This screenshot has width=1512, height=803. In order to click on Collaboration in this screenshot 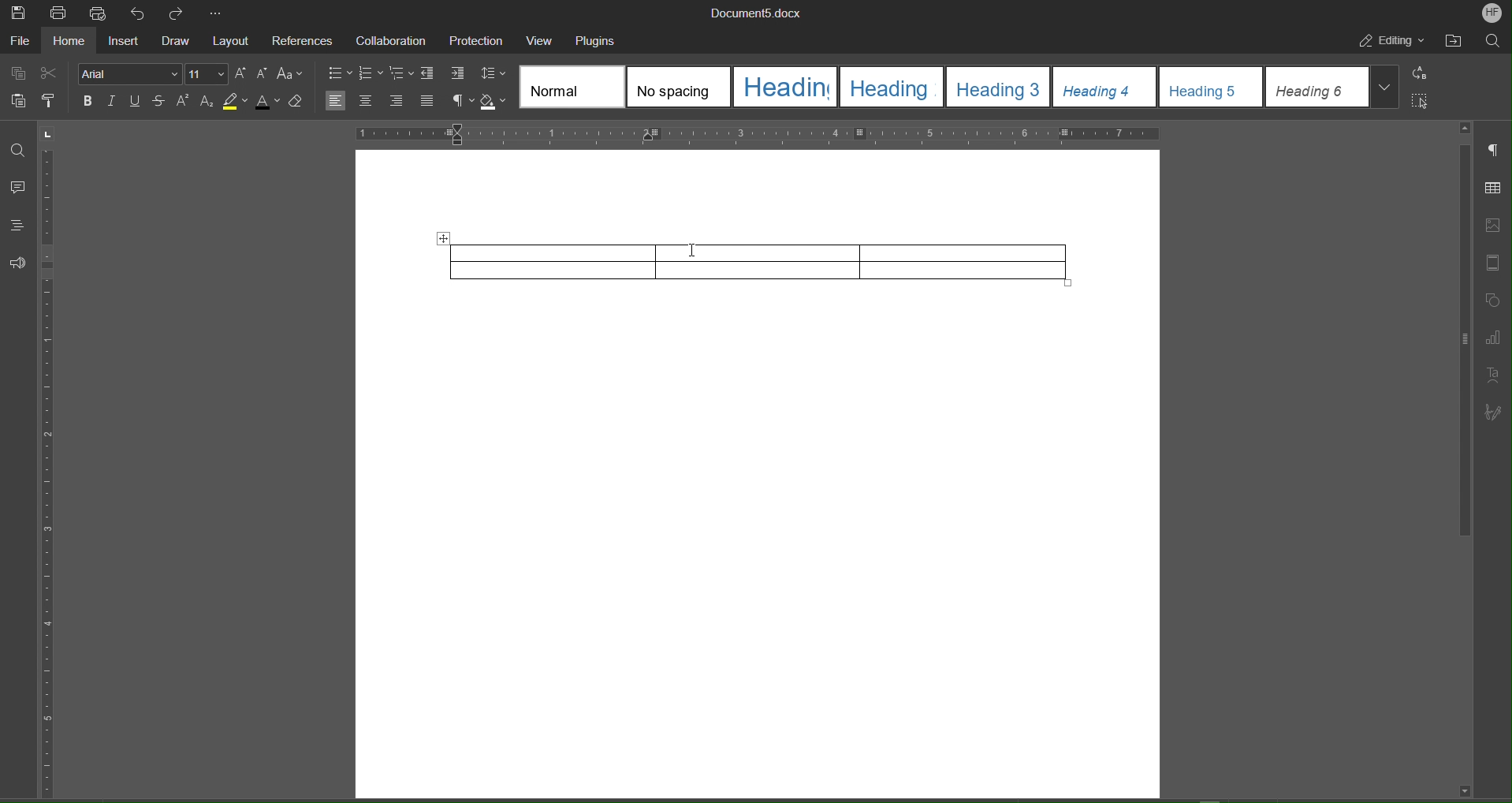, I will do `click(391, 41)`.